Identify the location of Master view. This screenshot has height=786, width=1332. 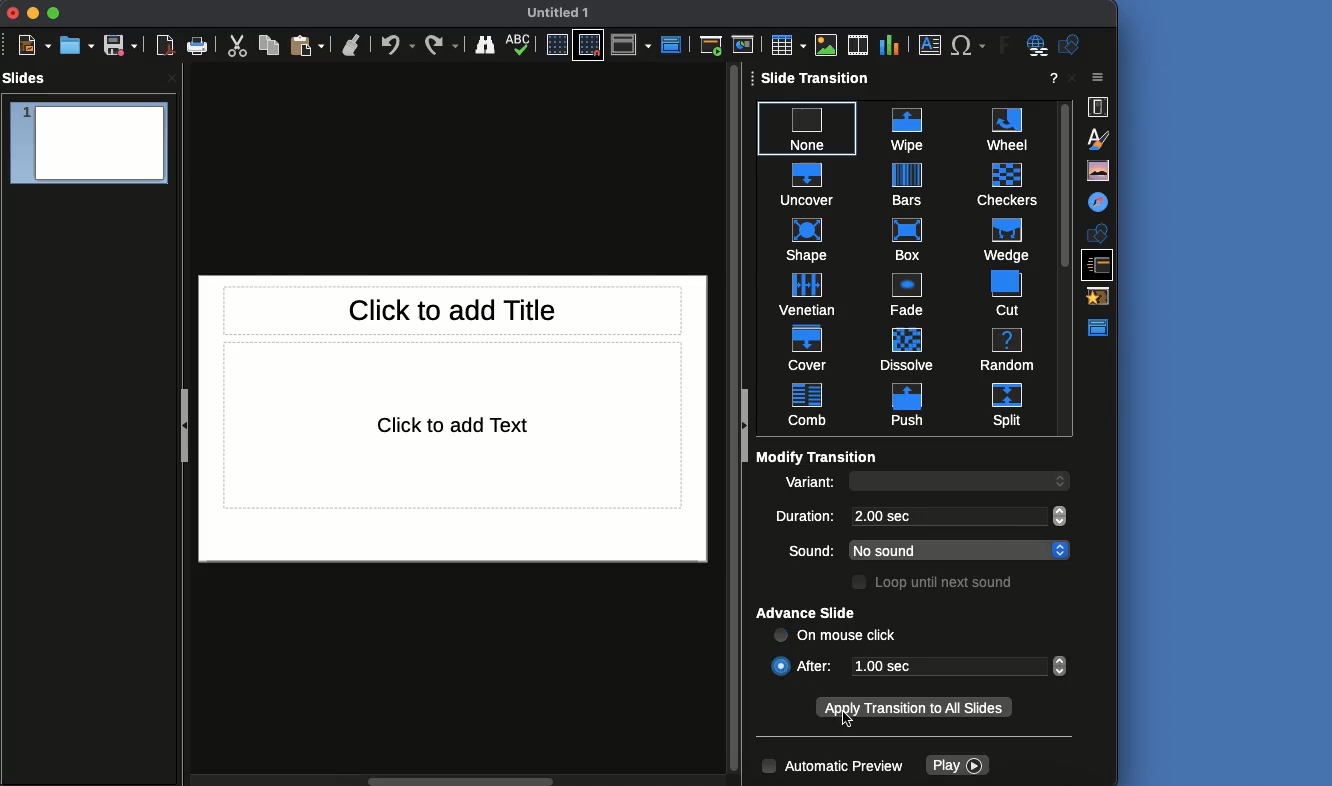
(1101, 327).